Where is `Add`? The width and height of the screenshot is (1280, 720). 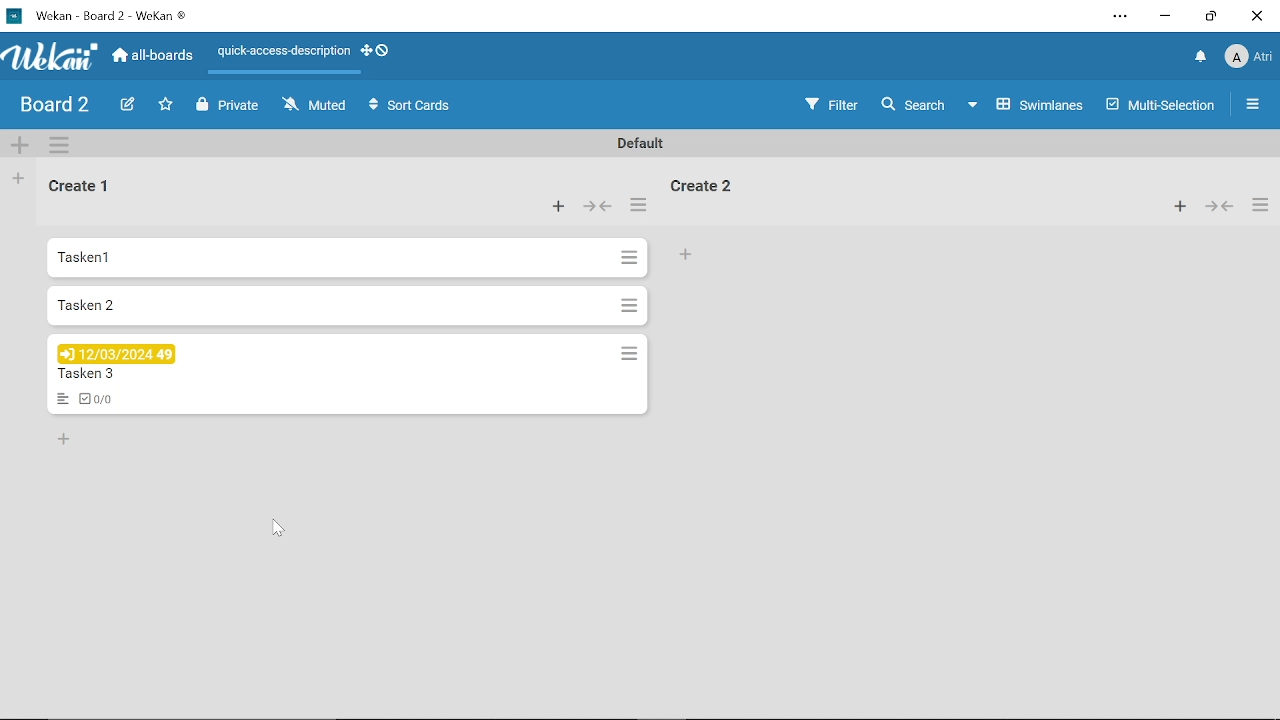 Add is located at coordinates (66, 436).